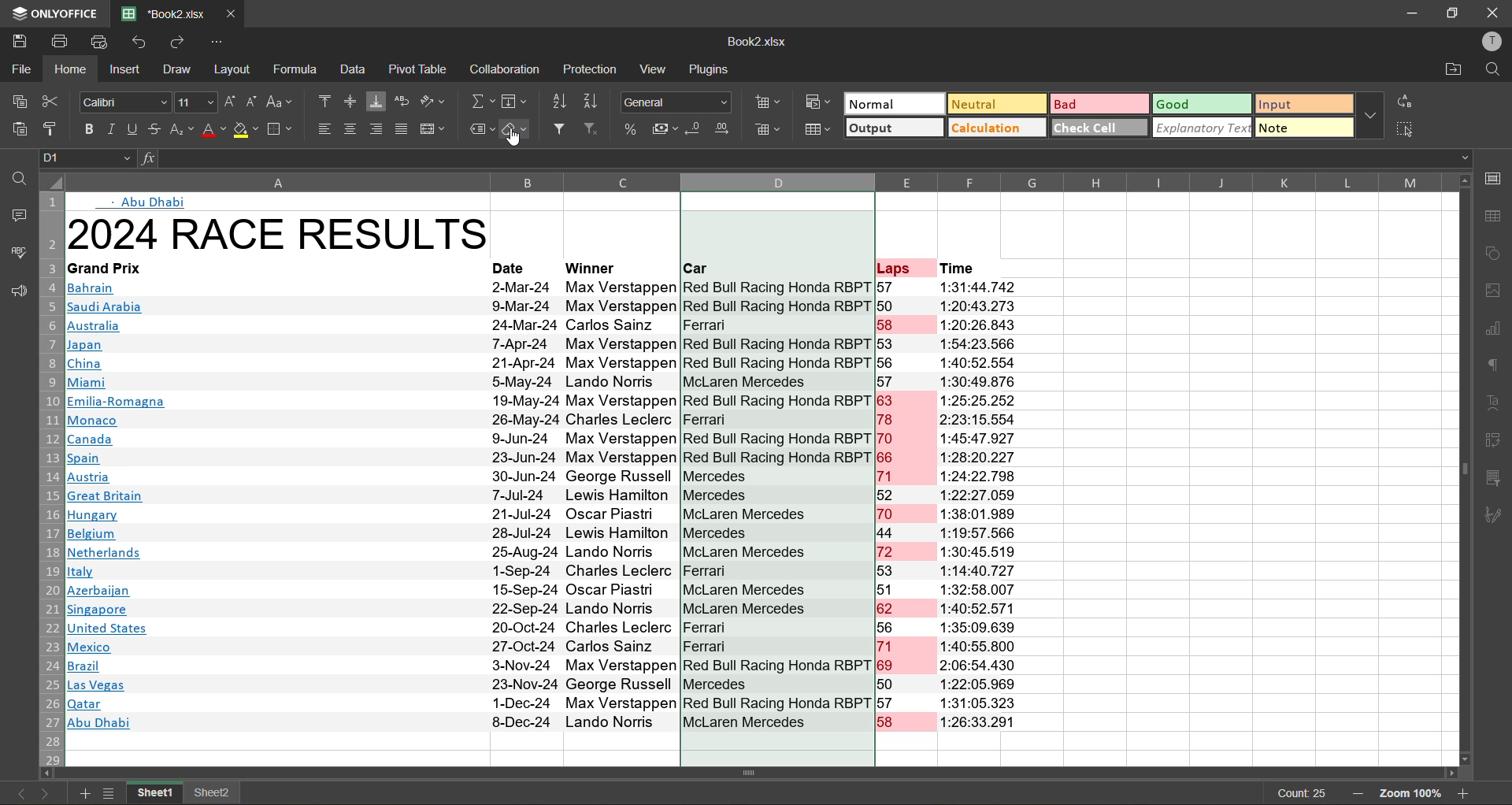 The width and height of the screenshot is (1512, 805). What do you see at coordinates (1497, 516) in the screenshot?
I see `signature` at bounding box center [1497, 516].